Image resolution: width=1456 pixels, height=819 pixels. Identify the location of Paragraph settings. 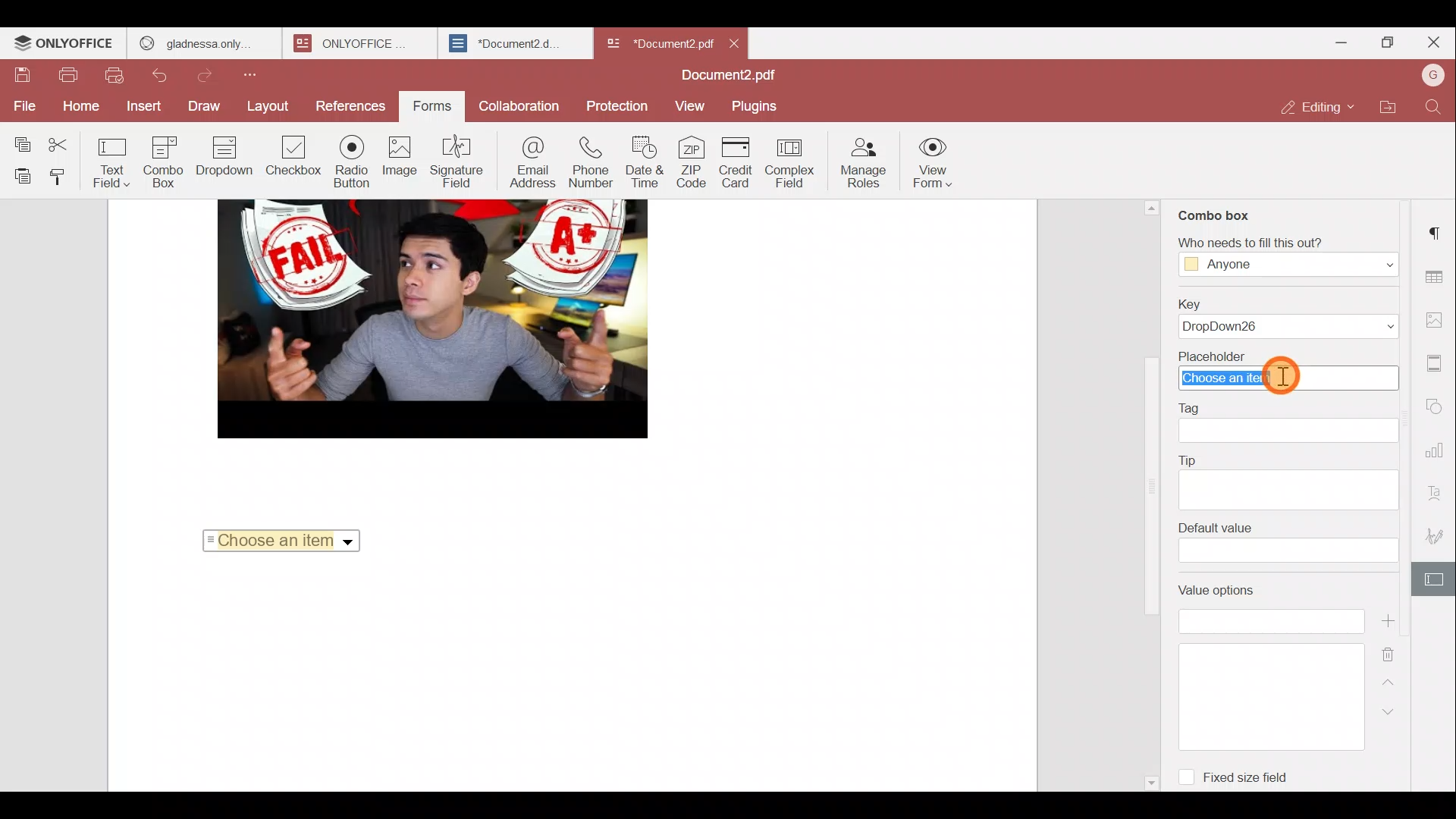
(1437, 229).